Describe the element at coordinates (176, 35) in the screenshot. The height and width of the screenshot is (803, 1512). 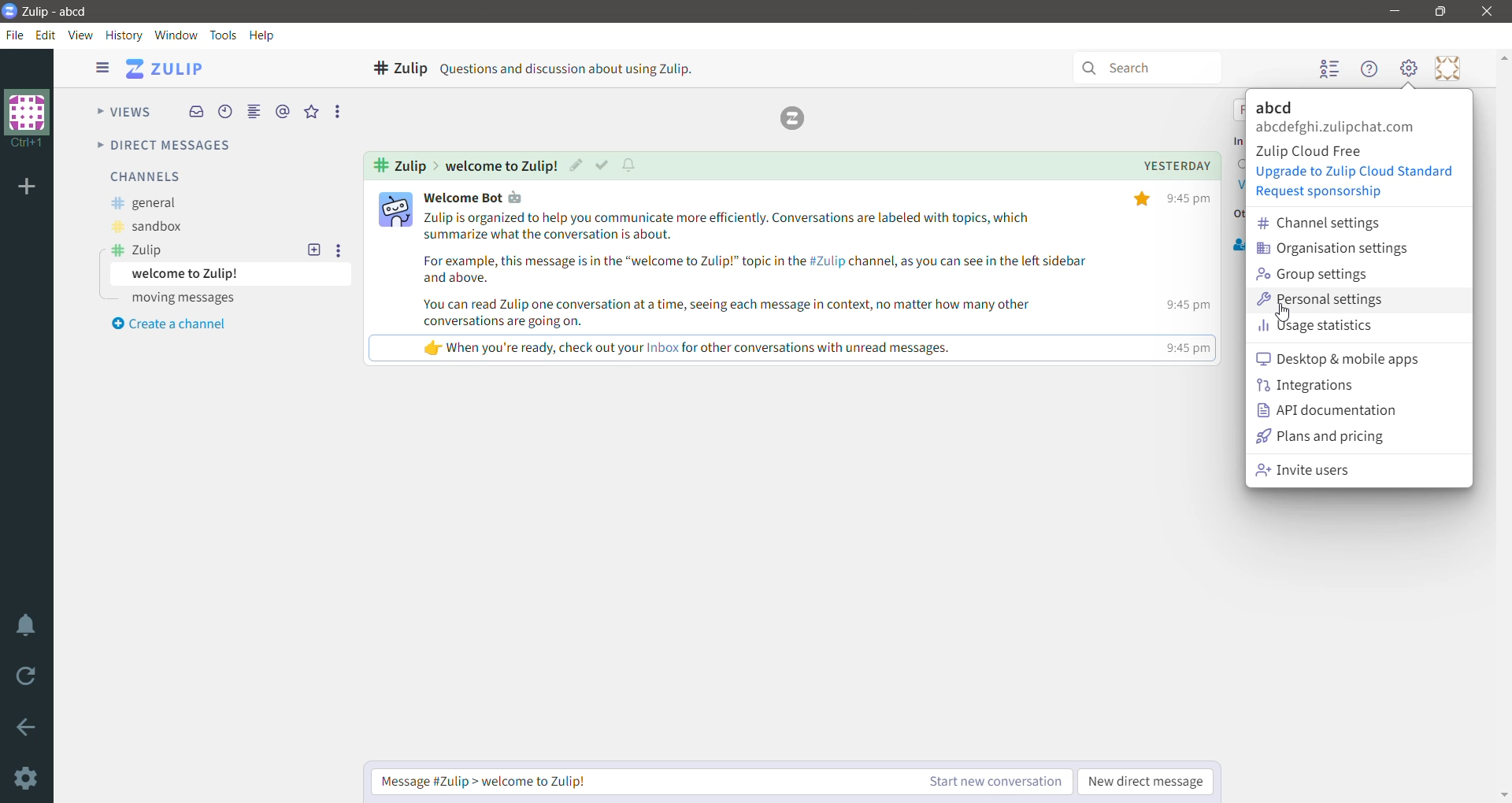
I see `Window` at that location.